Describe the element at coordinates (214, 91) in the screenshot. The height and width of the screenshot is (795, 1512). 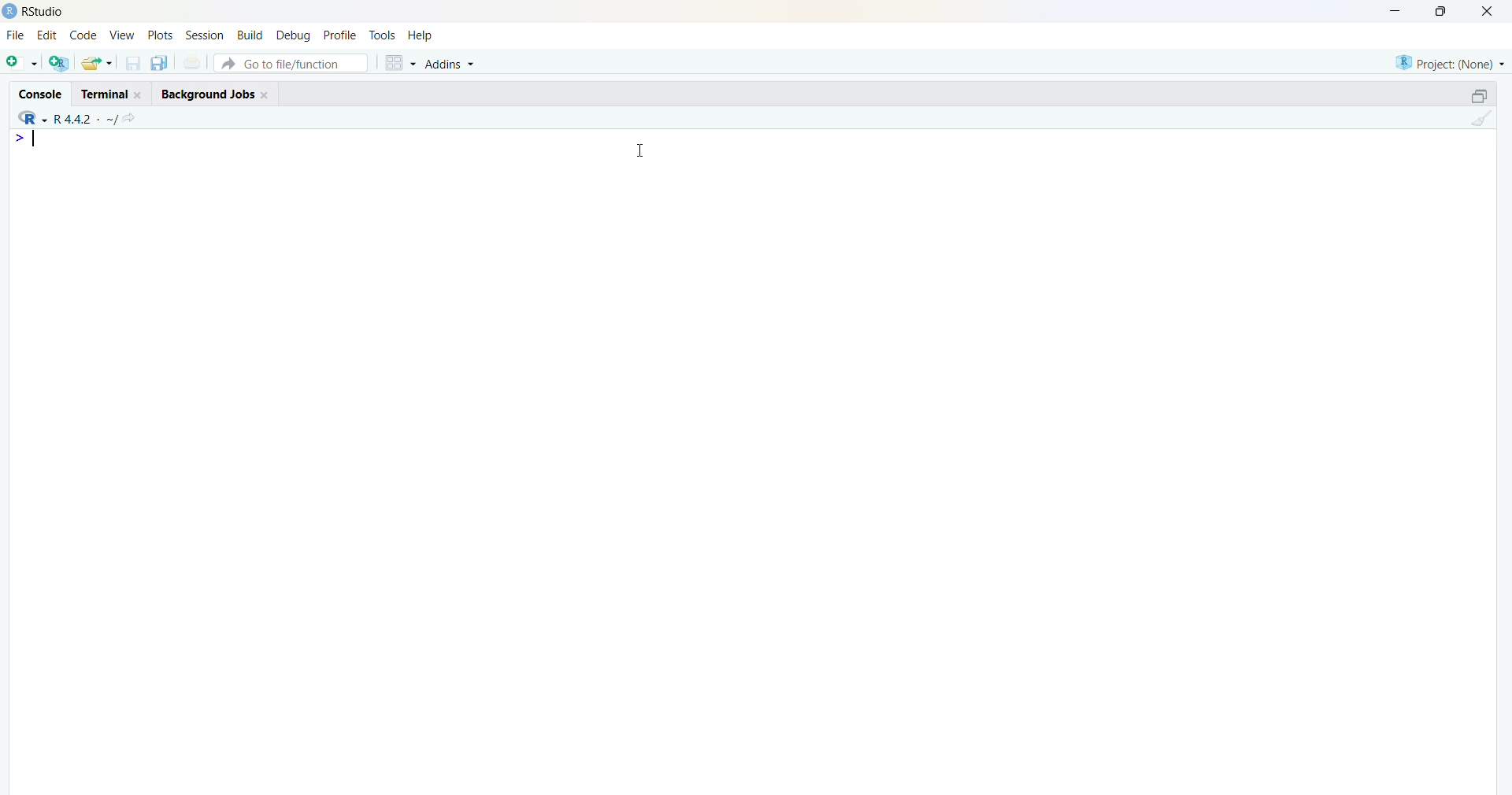
I see `Background Jobs` at that location.